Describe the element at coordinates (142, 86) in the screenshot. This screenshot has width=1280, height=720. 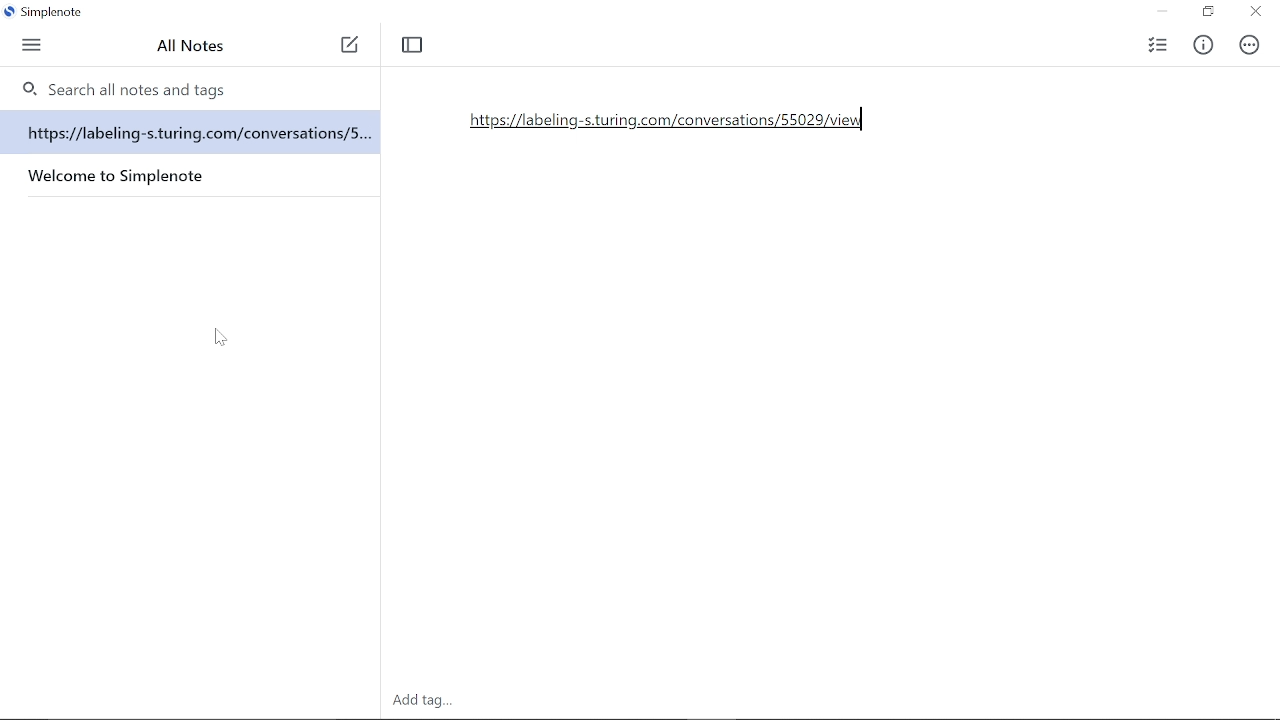
I see `0, Search all notes and tags` at that location.